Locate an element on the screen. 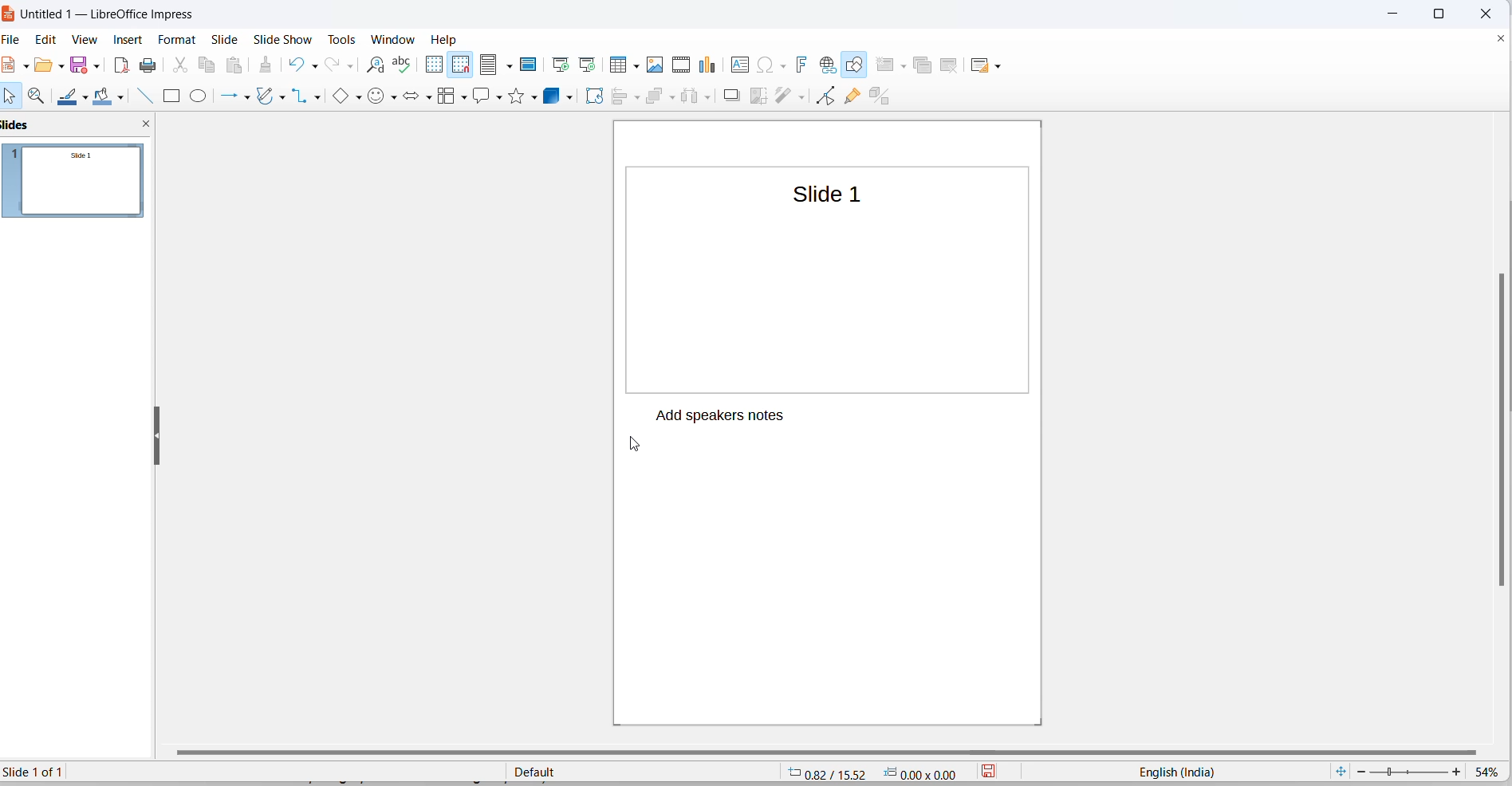 This screenshot has width=1512, height=786. increase zoom is located at coordinates (1458, 773).